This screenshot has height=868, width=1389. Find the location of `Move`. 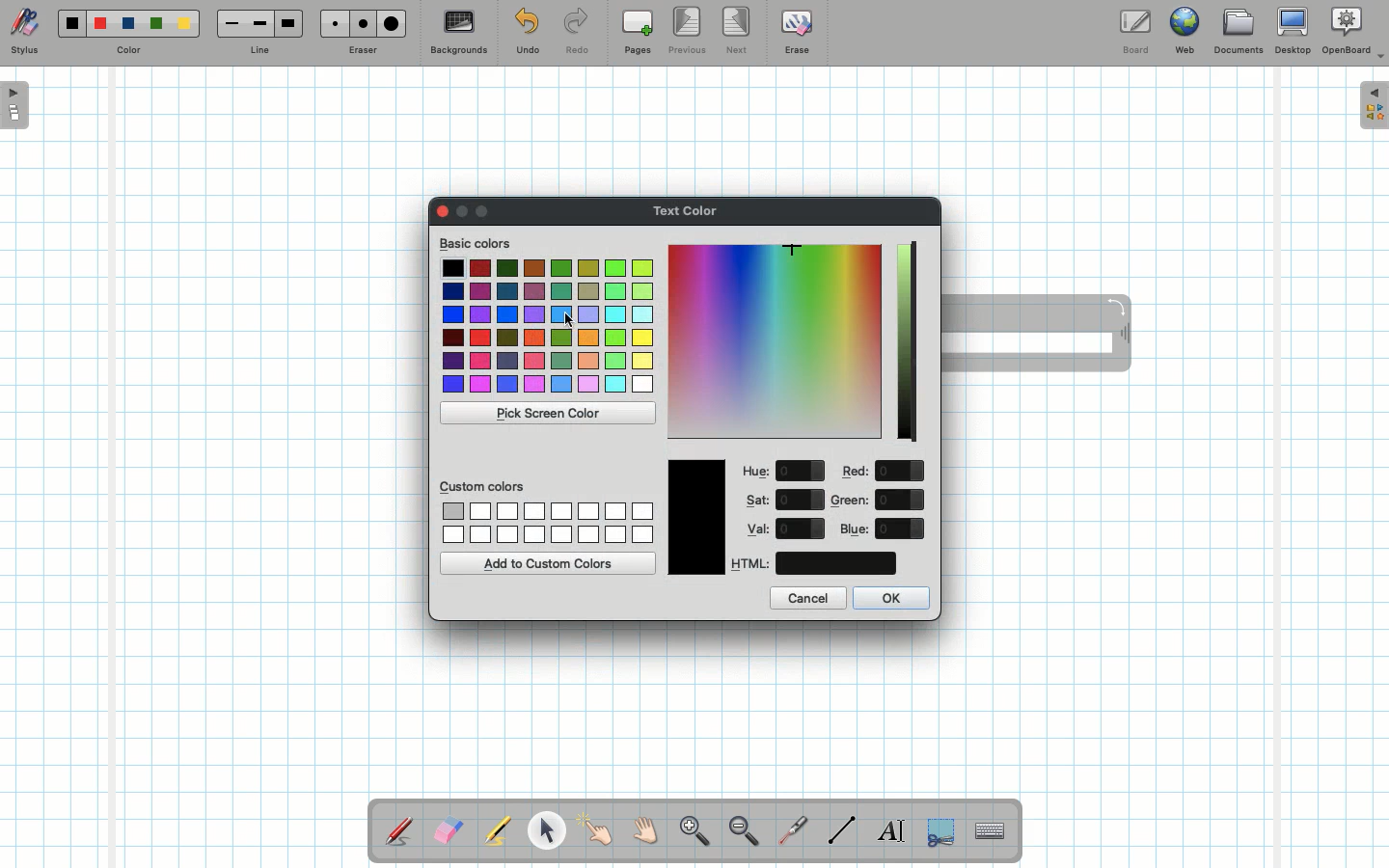

Move is located at coordinates (1123, 336).